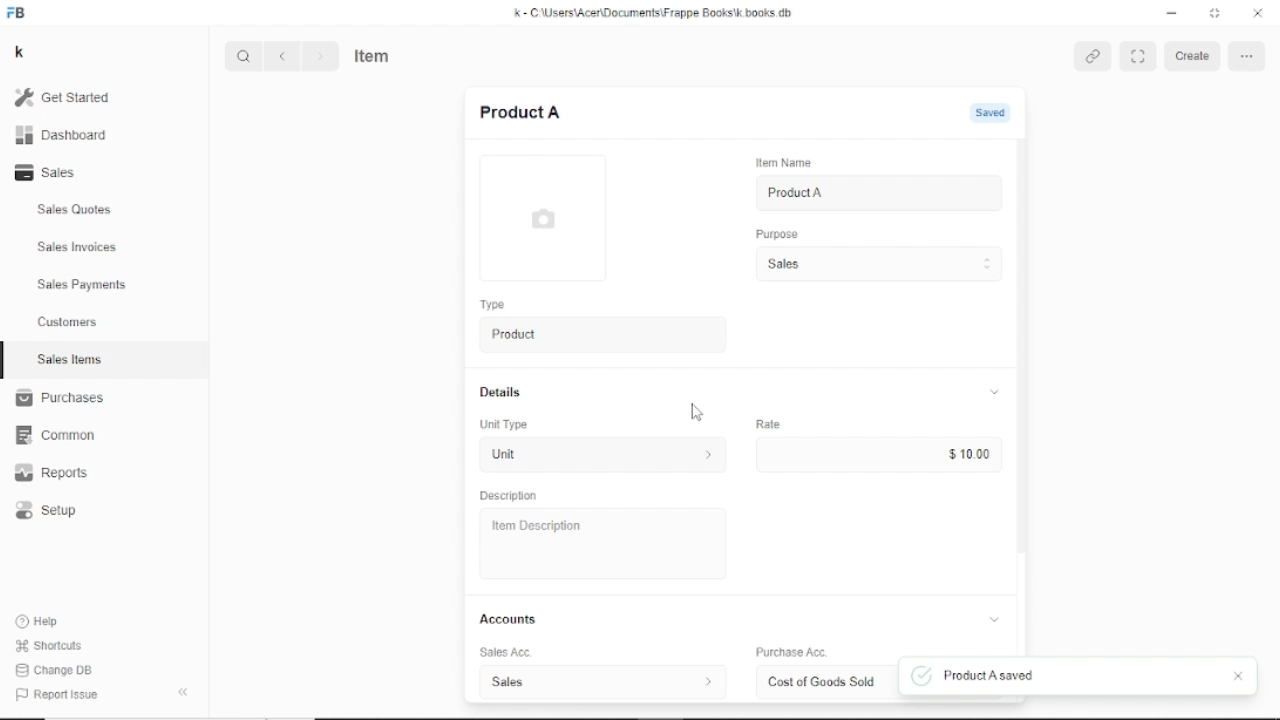  What do you see at coordinates (1195, 56) in the screenshot?
I see `Create` at bounding box center [1195, 56].